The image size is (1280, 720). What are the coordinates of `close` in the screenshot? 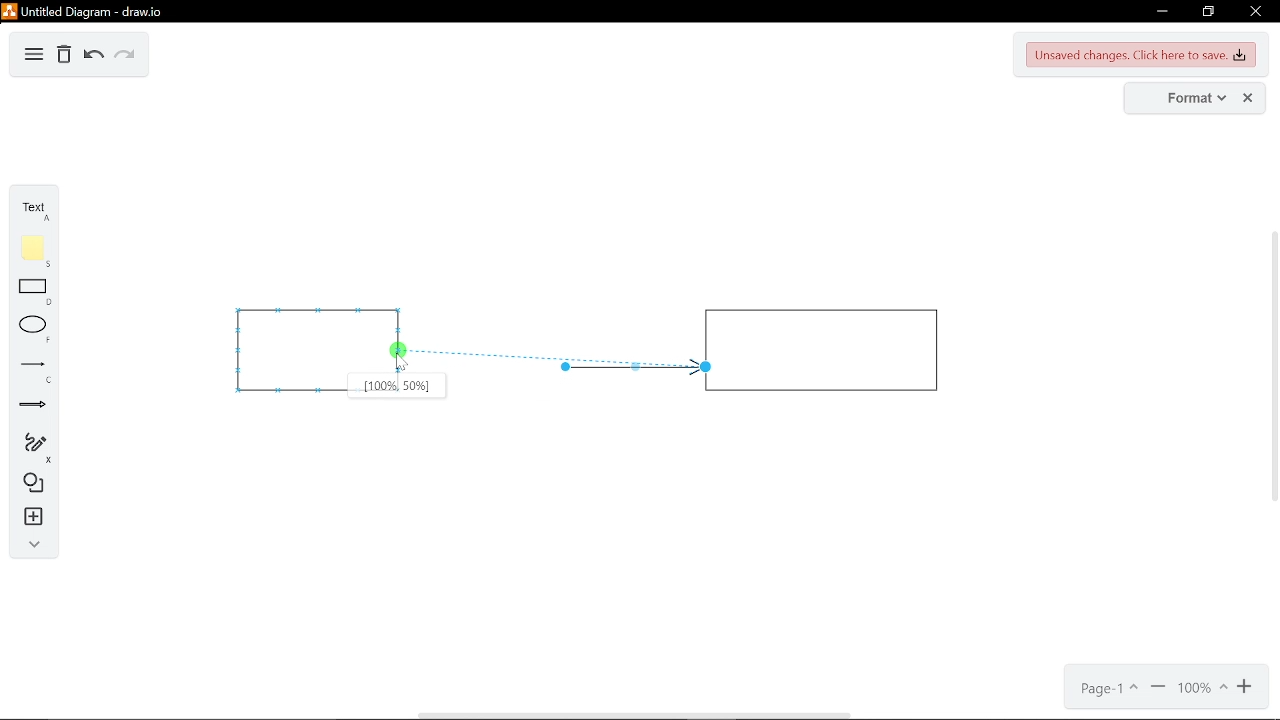 It's located at (1248, 98).